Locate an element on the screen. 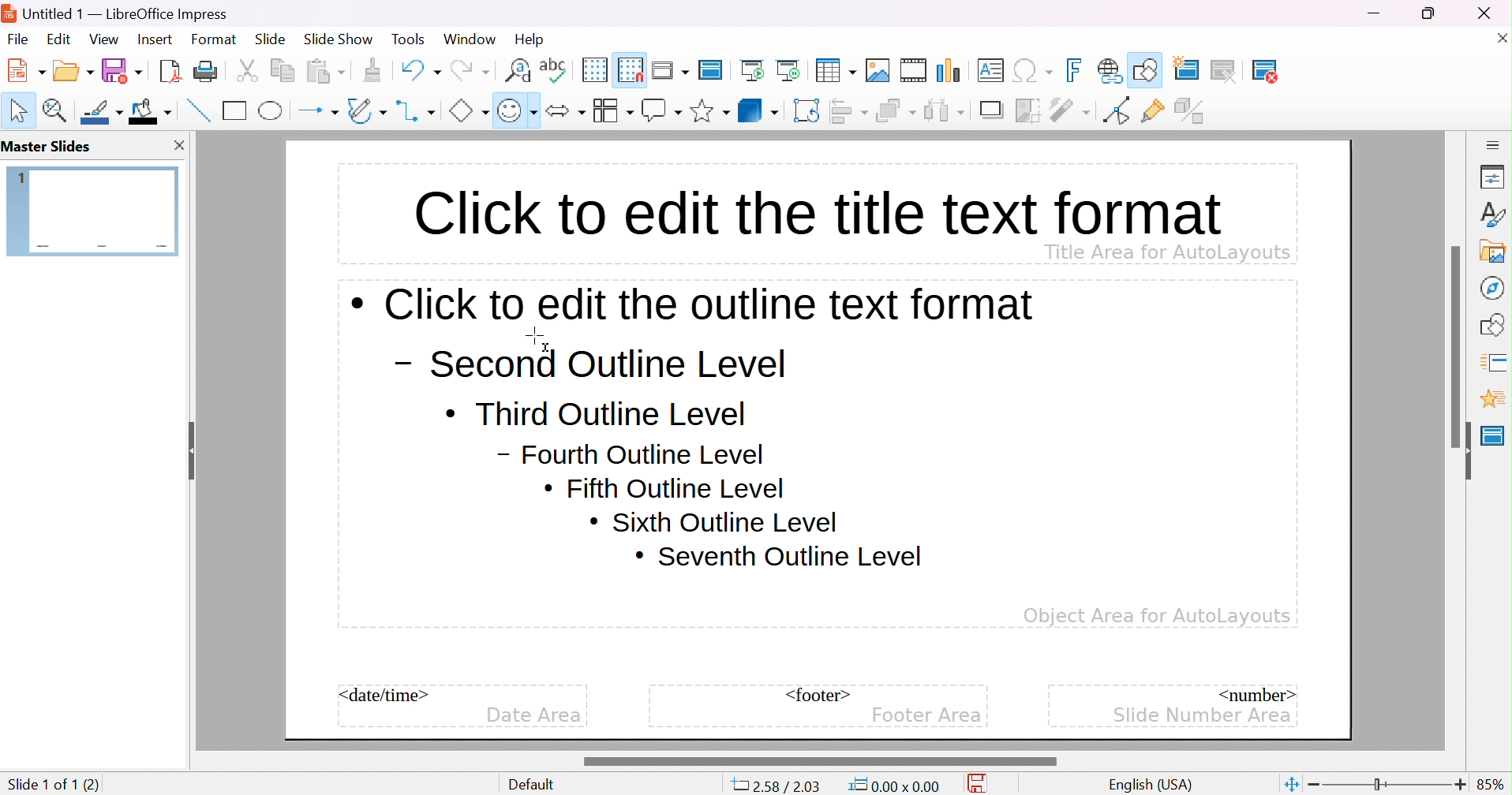  -0.96/0.09 is located at coordinates (783, 786).